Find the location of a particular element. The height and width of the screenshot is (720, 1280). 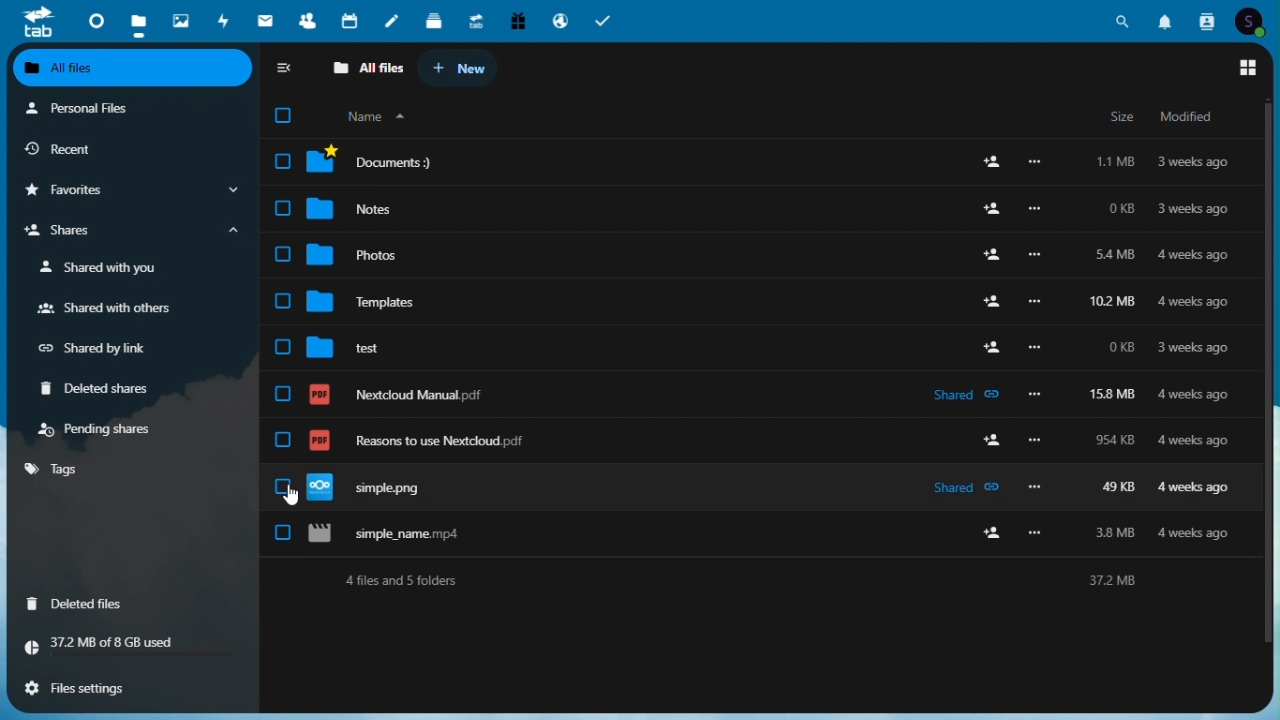

shared with others is located at coordinates (103, 310).